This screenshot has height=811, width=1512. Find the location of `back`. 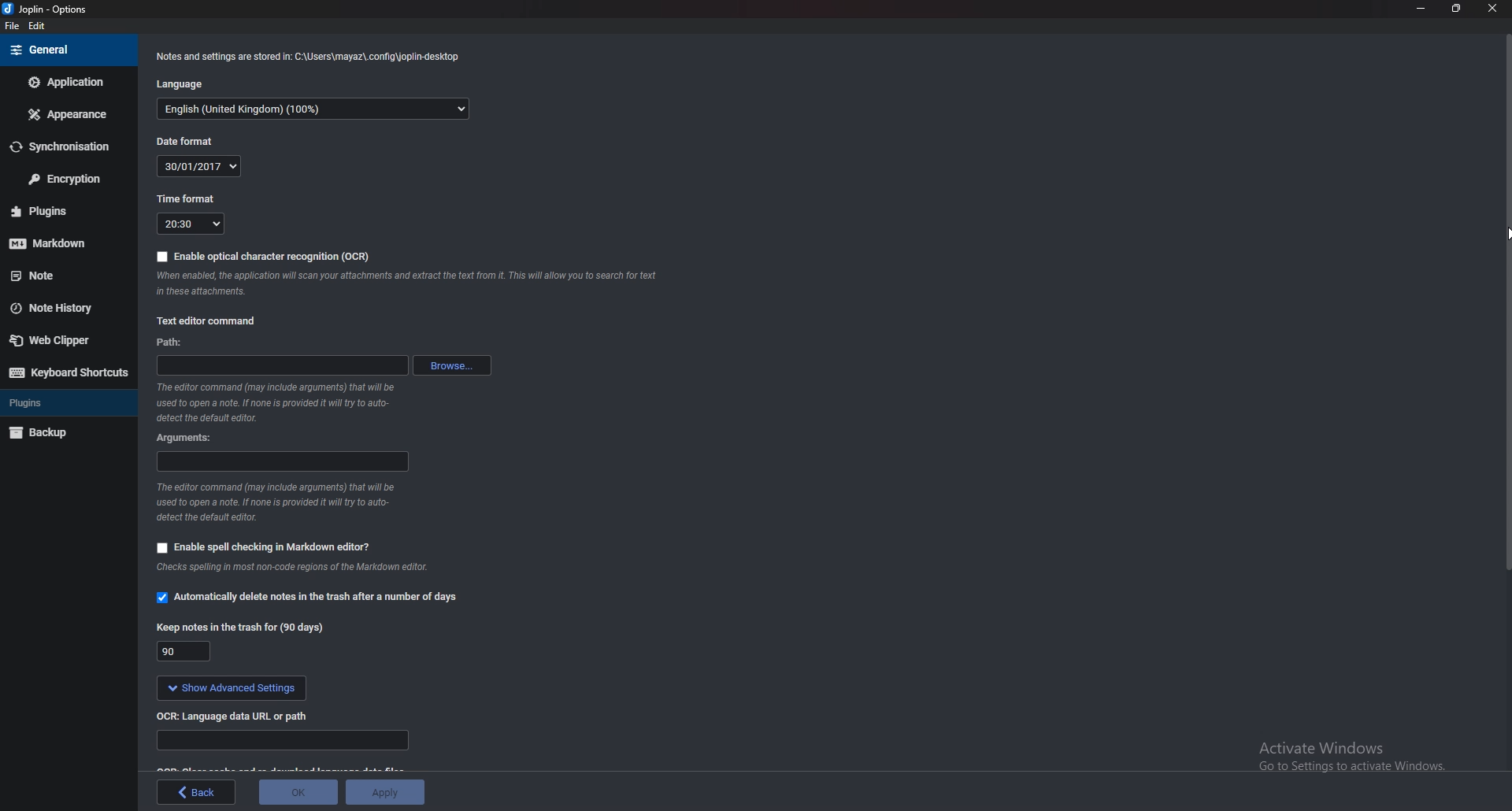

back is located at coordinates (196, 792).